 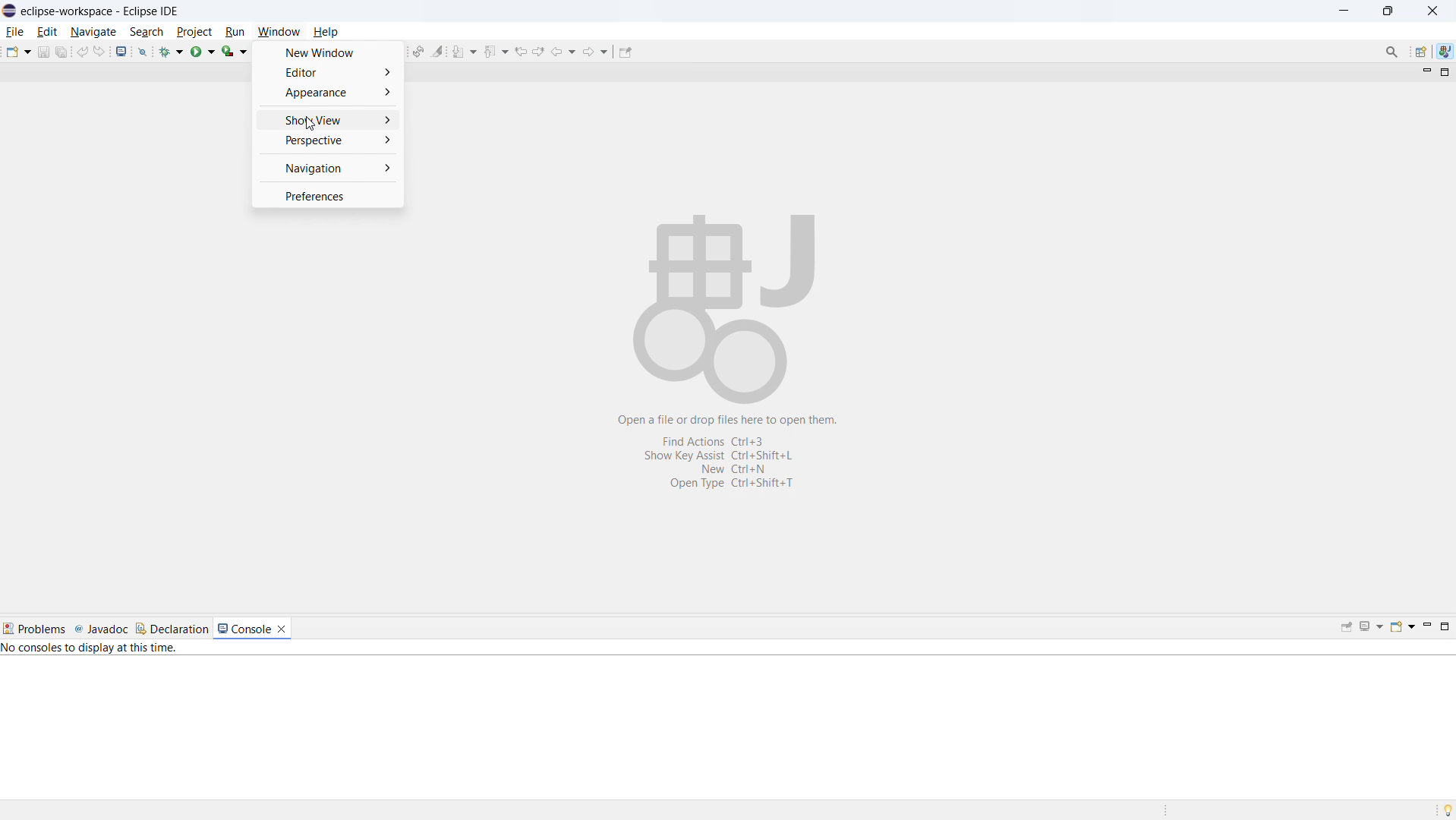 What do you see at coordinates (194, 31) in the screenshot?
I see `project` at bounding box center [194, 31].